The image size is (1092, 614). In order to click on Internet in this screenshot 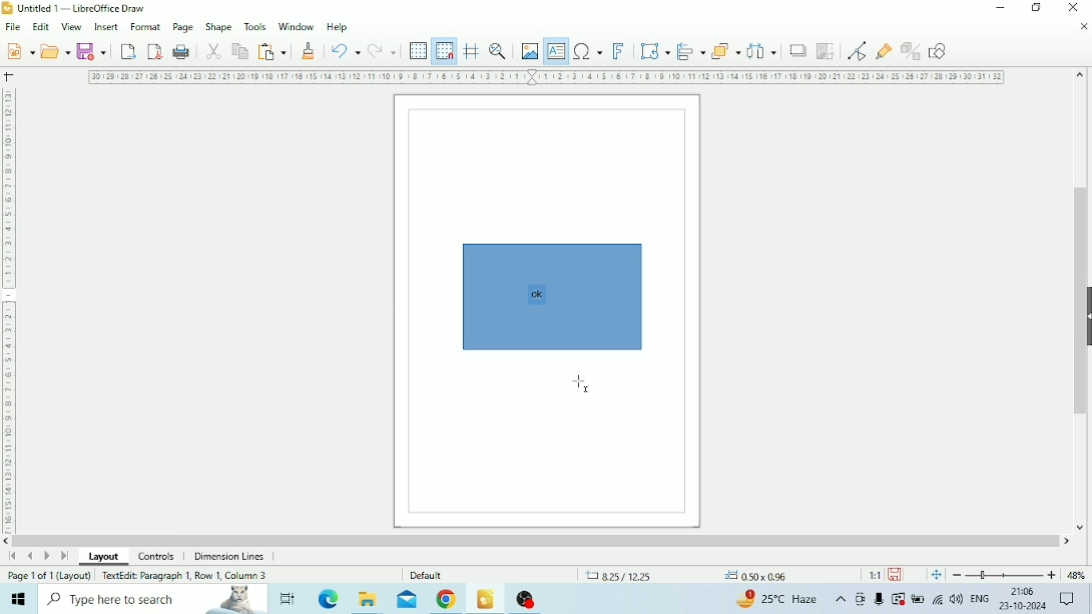, I will do `click(938, 601)`.